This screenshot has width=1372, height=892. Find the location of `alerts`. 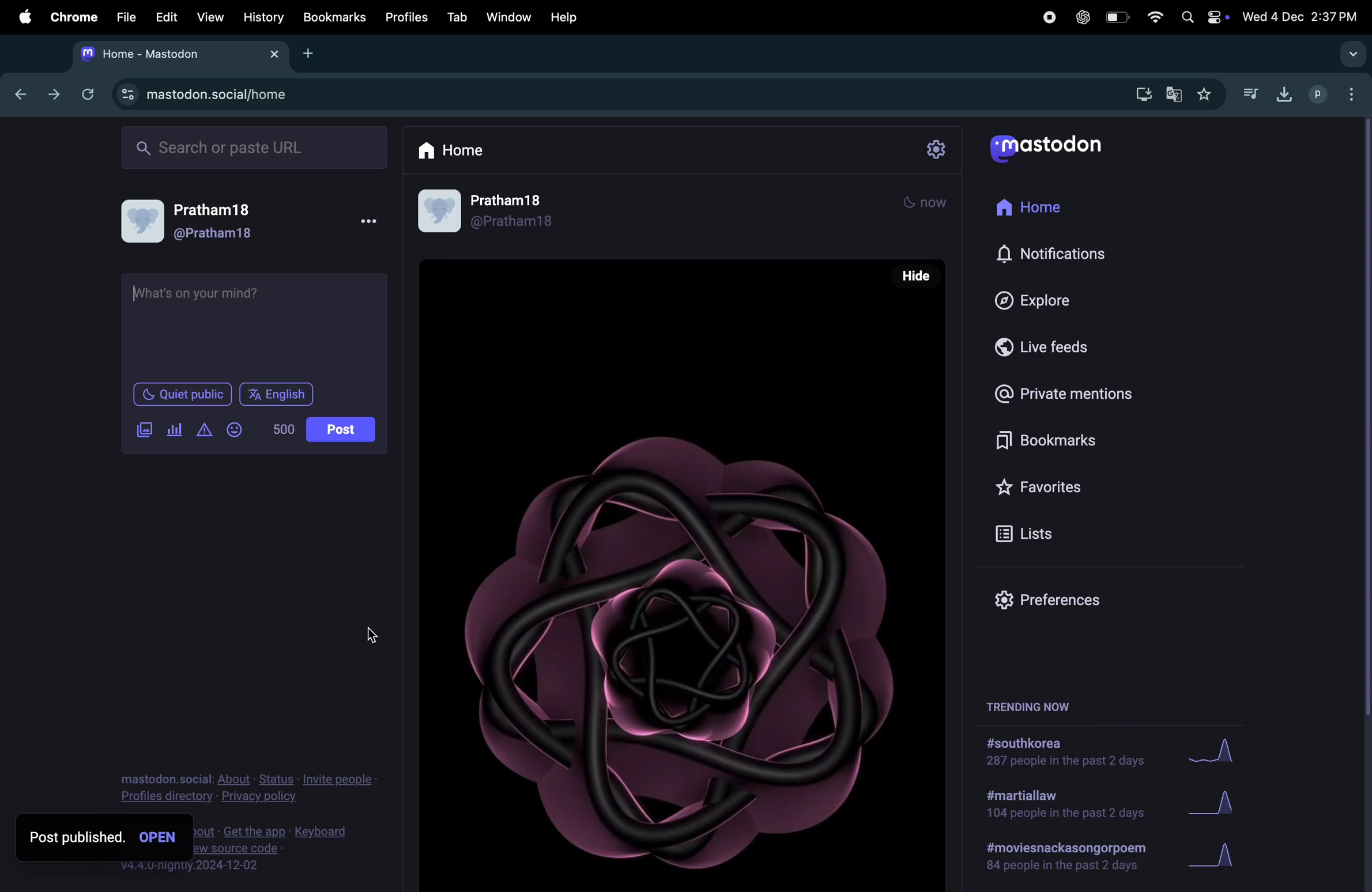

alerts is located at coordinates (203, 430).